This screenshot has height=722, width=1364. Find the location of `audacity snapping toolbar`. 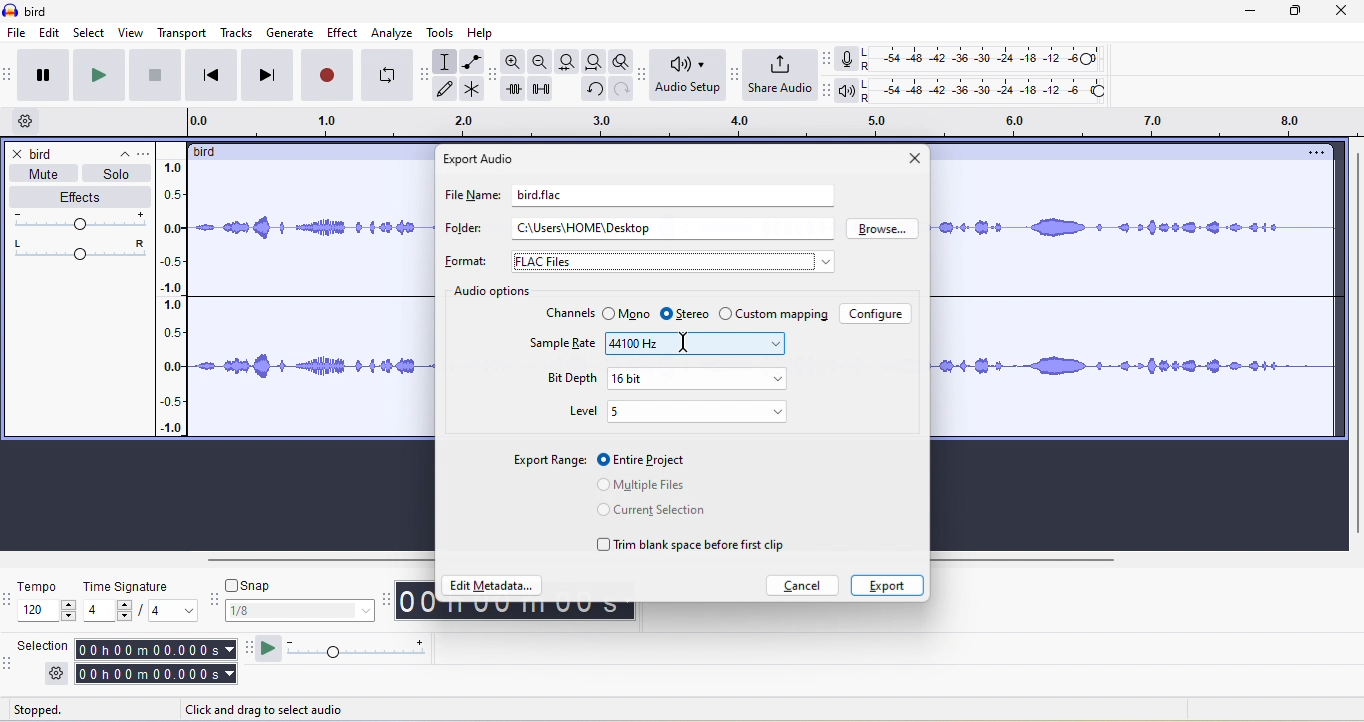

audacity snapping toolbar is located at coordinates (217, 603).